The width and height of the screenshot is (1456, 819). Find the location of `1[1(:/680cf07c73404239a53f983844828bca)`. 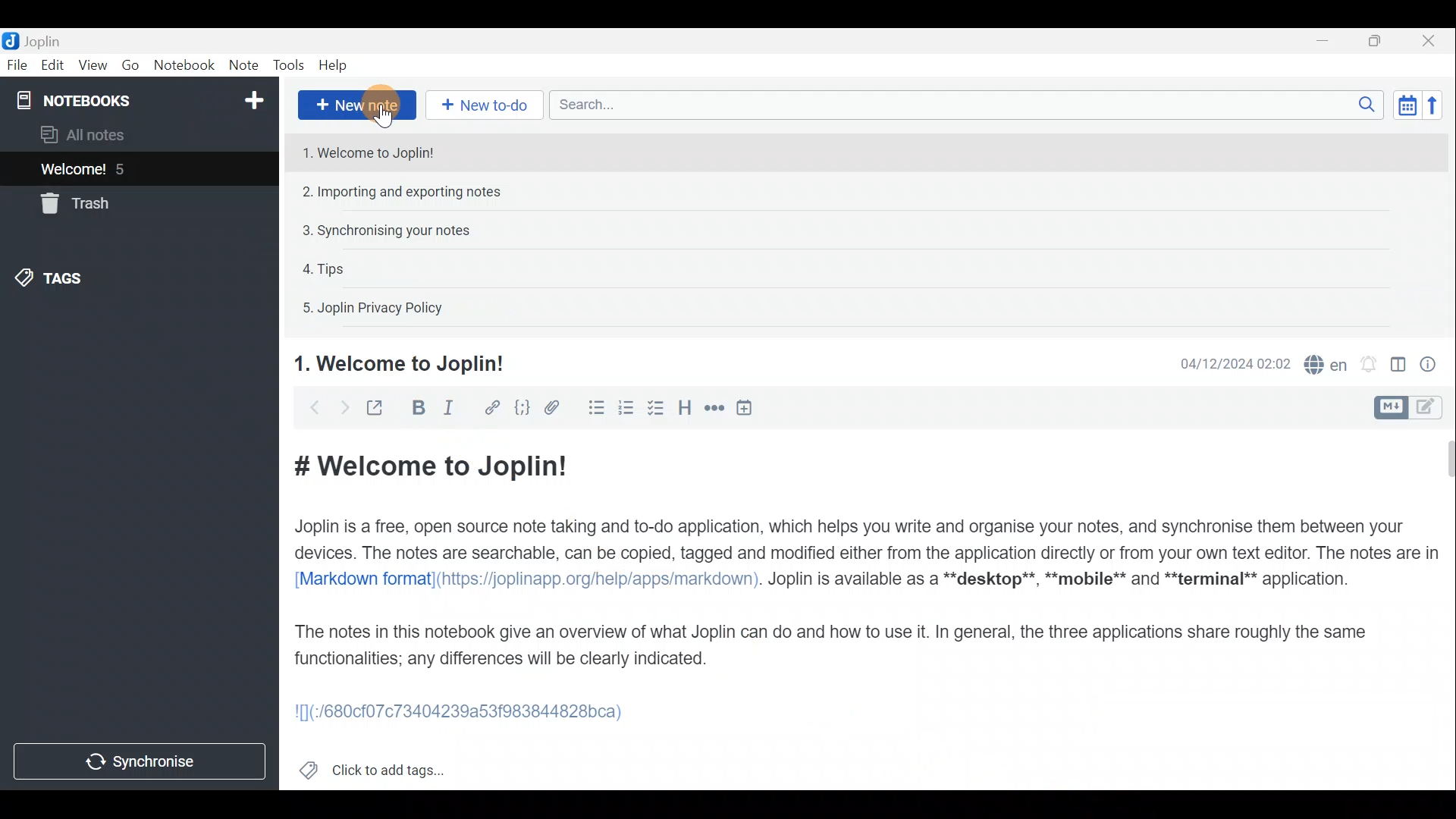

1[1(:/680cf07c73404239a53f983844828bca) is located at coordinates (468, 715).